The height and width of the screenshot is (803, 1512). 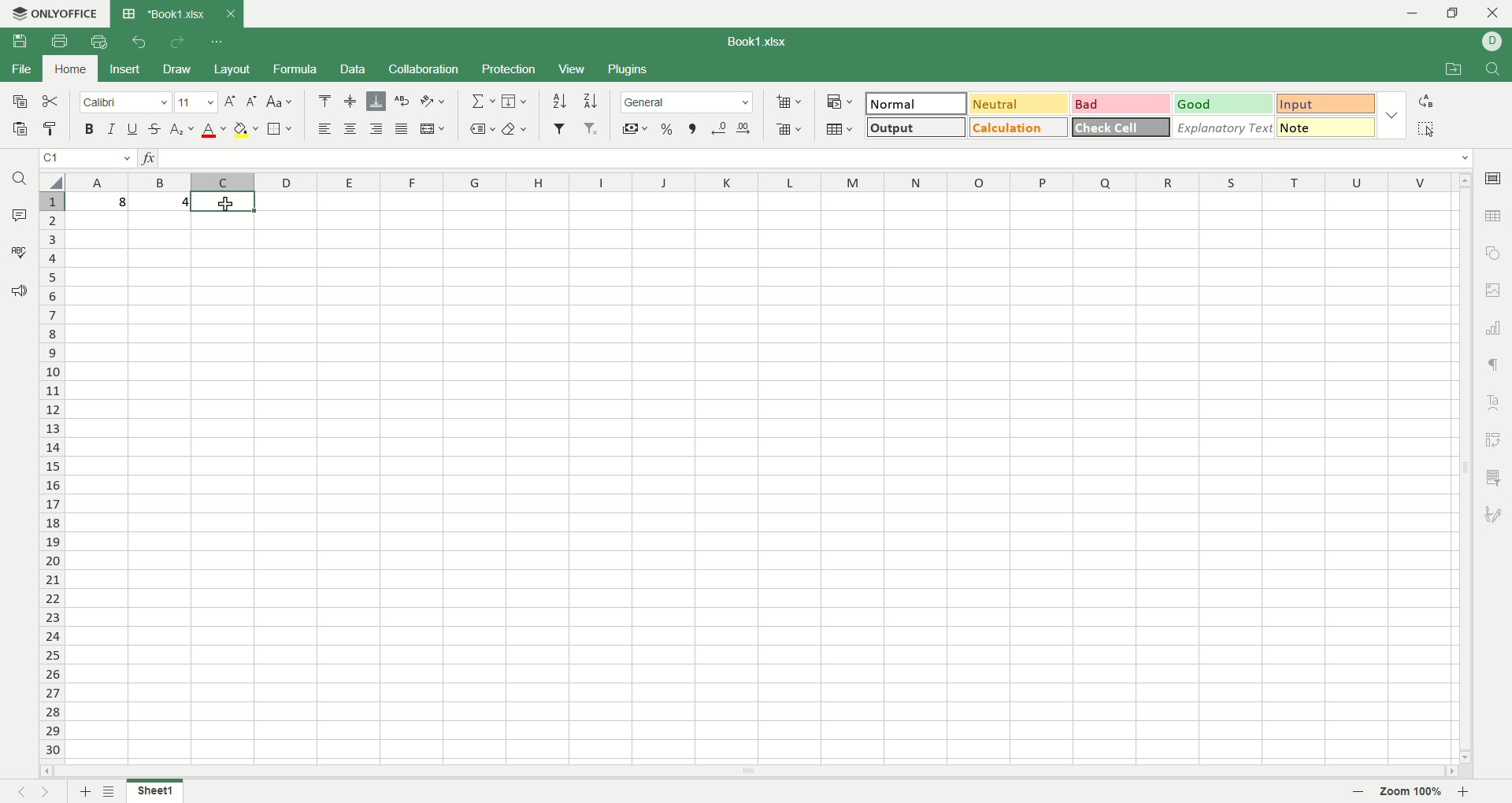 I want to click on normal, so click(x=917, y=103).